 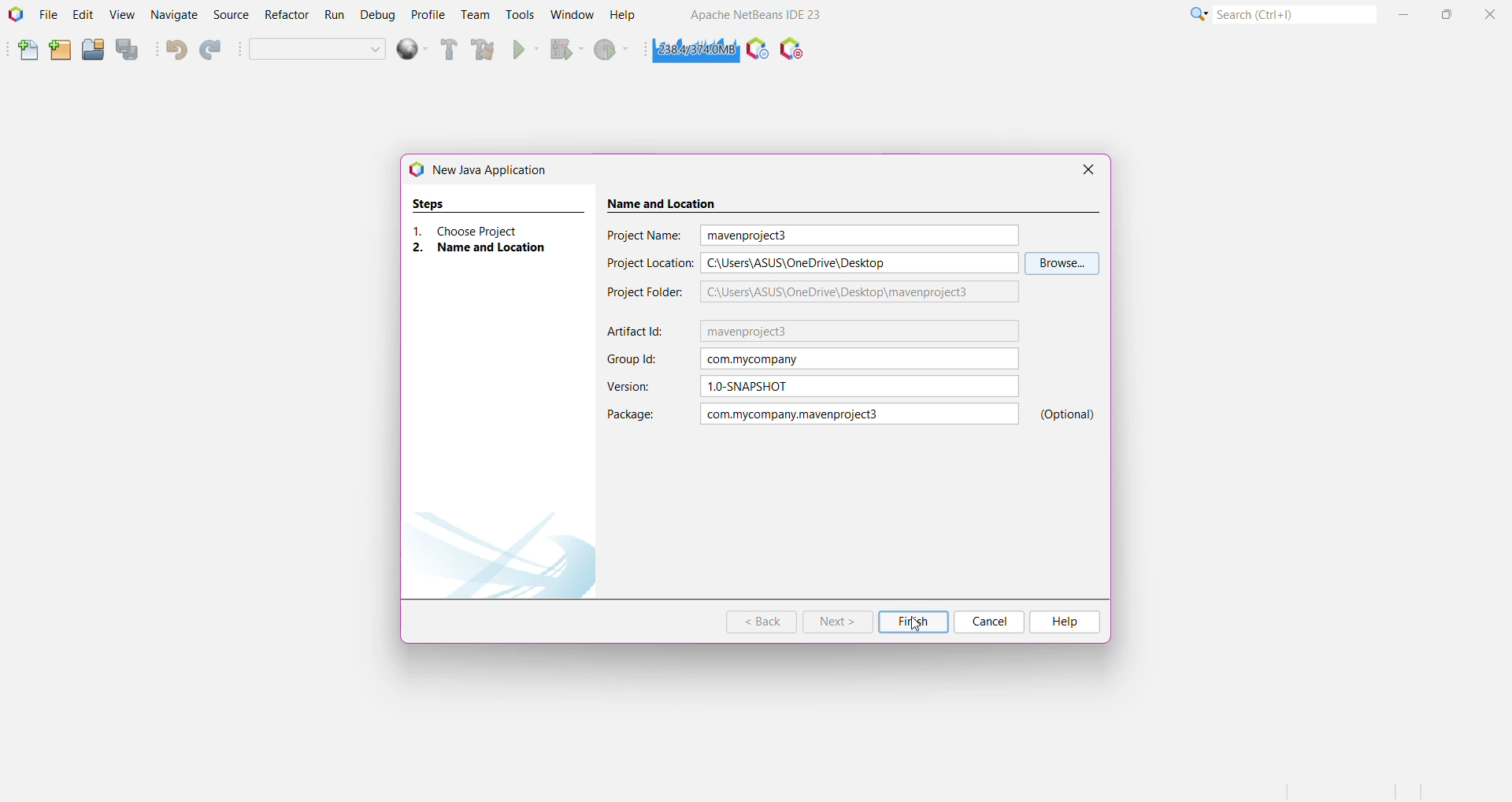 What do you see at coordinates (649, 263) in the screenshot?
I see `Project Location` at bounding box center [649, 263].